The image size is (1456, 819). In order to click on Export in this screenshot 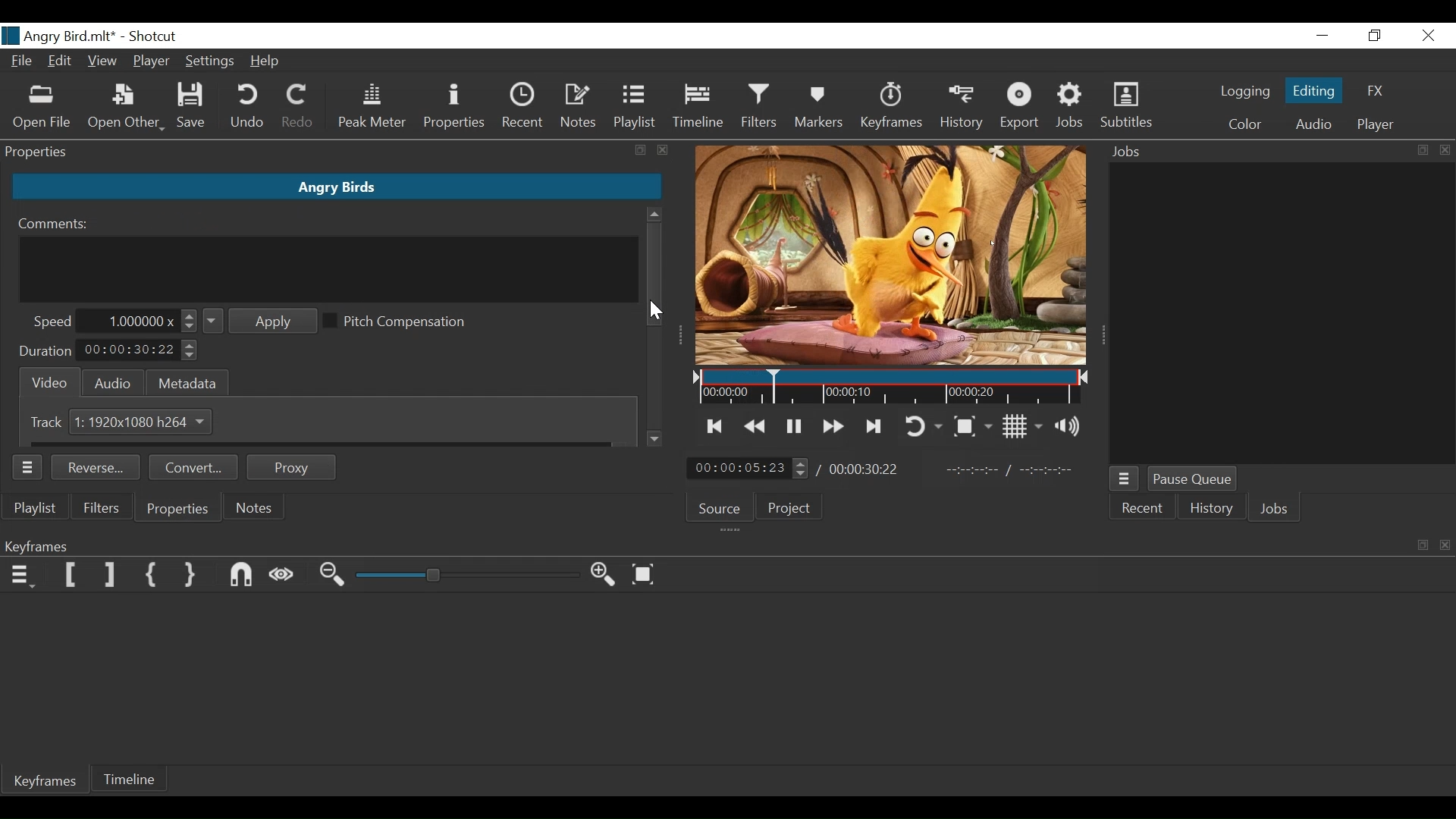, I will do `click(1023, 108)`.